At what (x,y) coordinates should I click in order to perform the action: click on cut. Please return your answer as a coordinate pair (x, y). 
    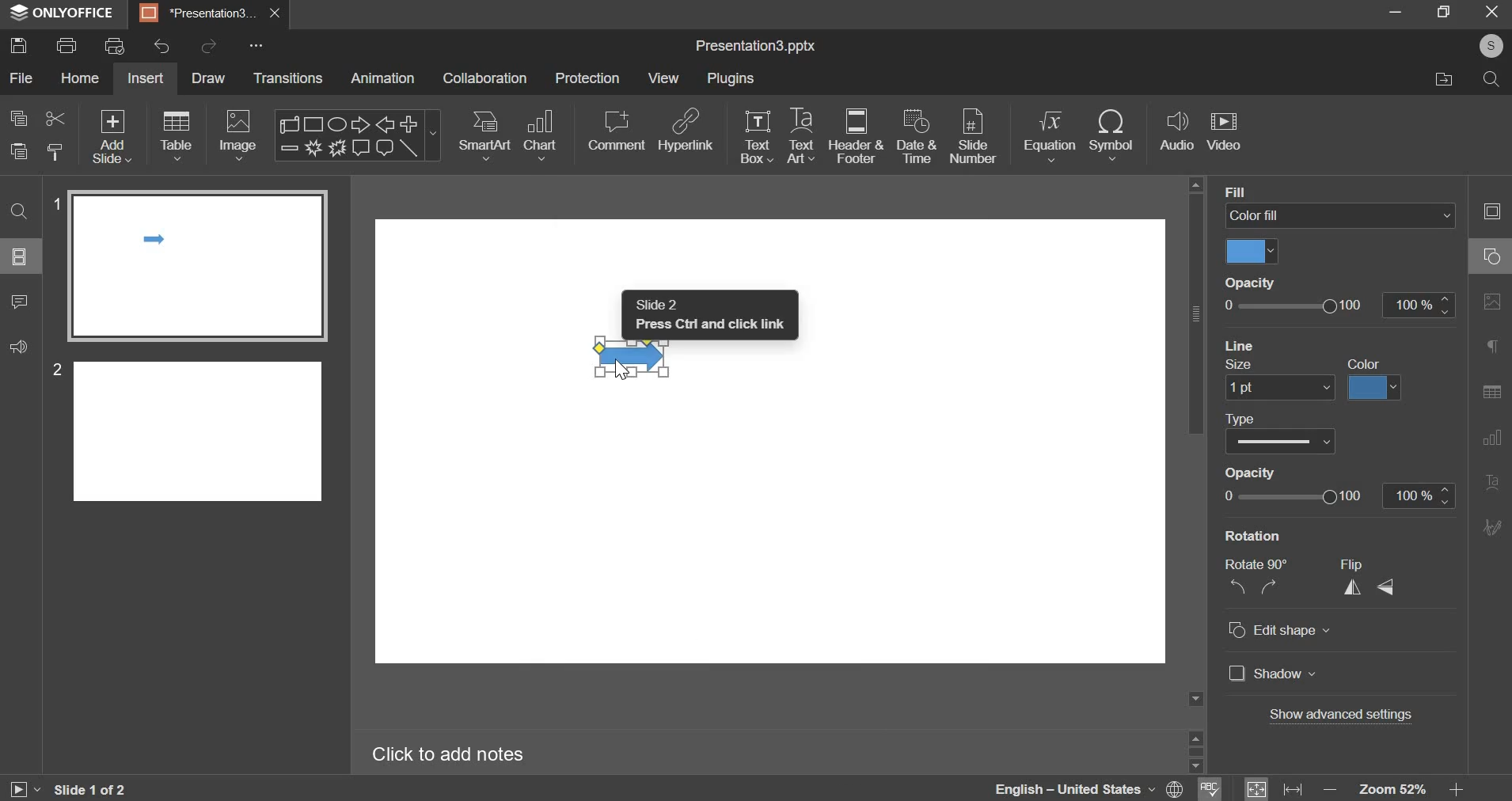
    Looking at the image, I should click on (56, 119).